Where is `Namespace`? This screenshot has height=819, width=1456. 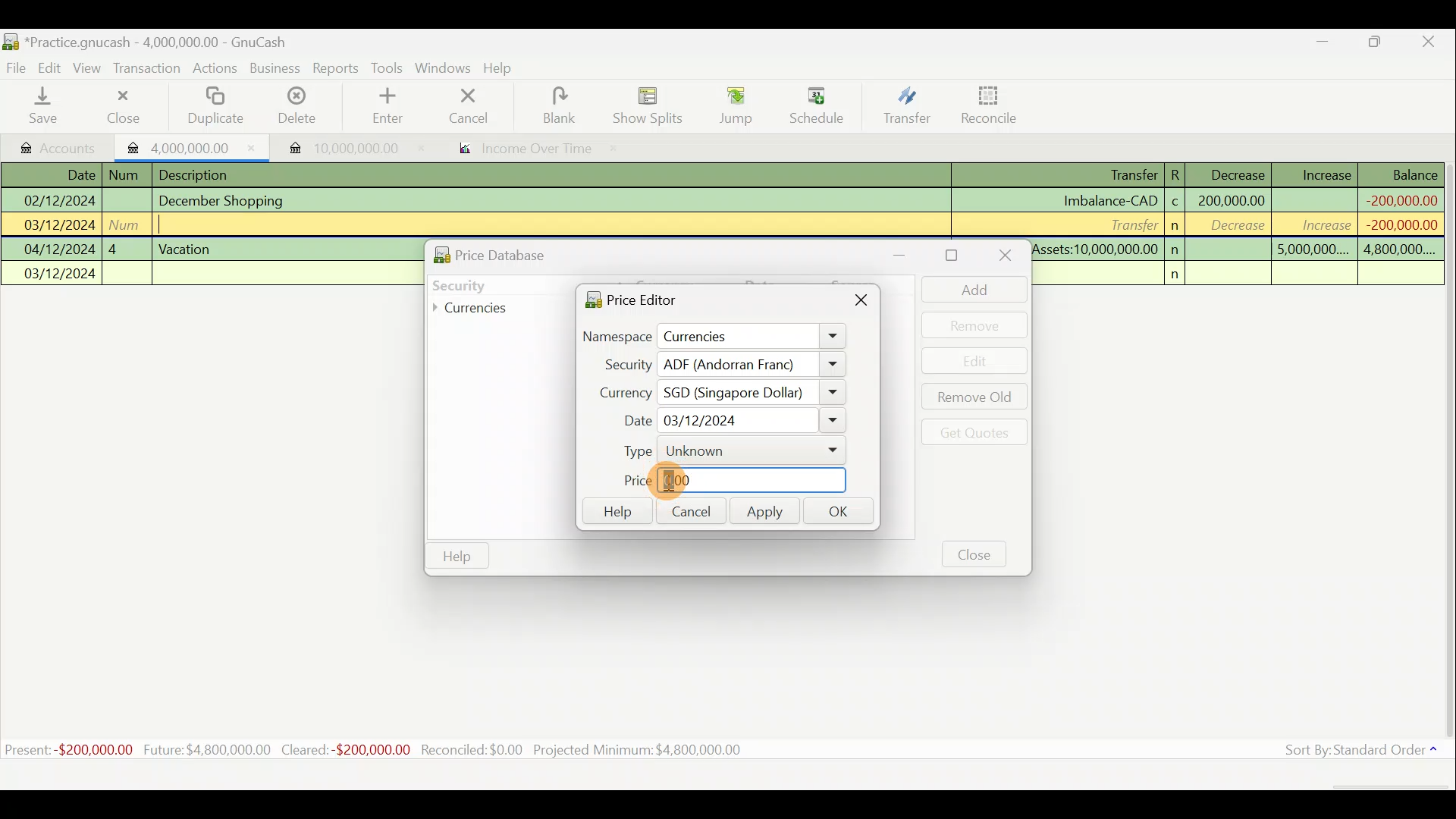 Namespace is located at coordinates (715, 337).